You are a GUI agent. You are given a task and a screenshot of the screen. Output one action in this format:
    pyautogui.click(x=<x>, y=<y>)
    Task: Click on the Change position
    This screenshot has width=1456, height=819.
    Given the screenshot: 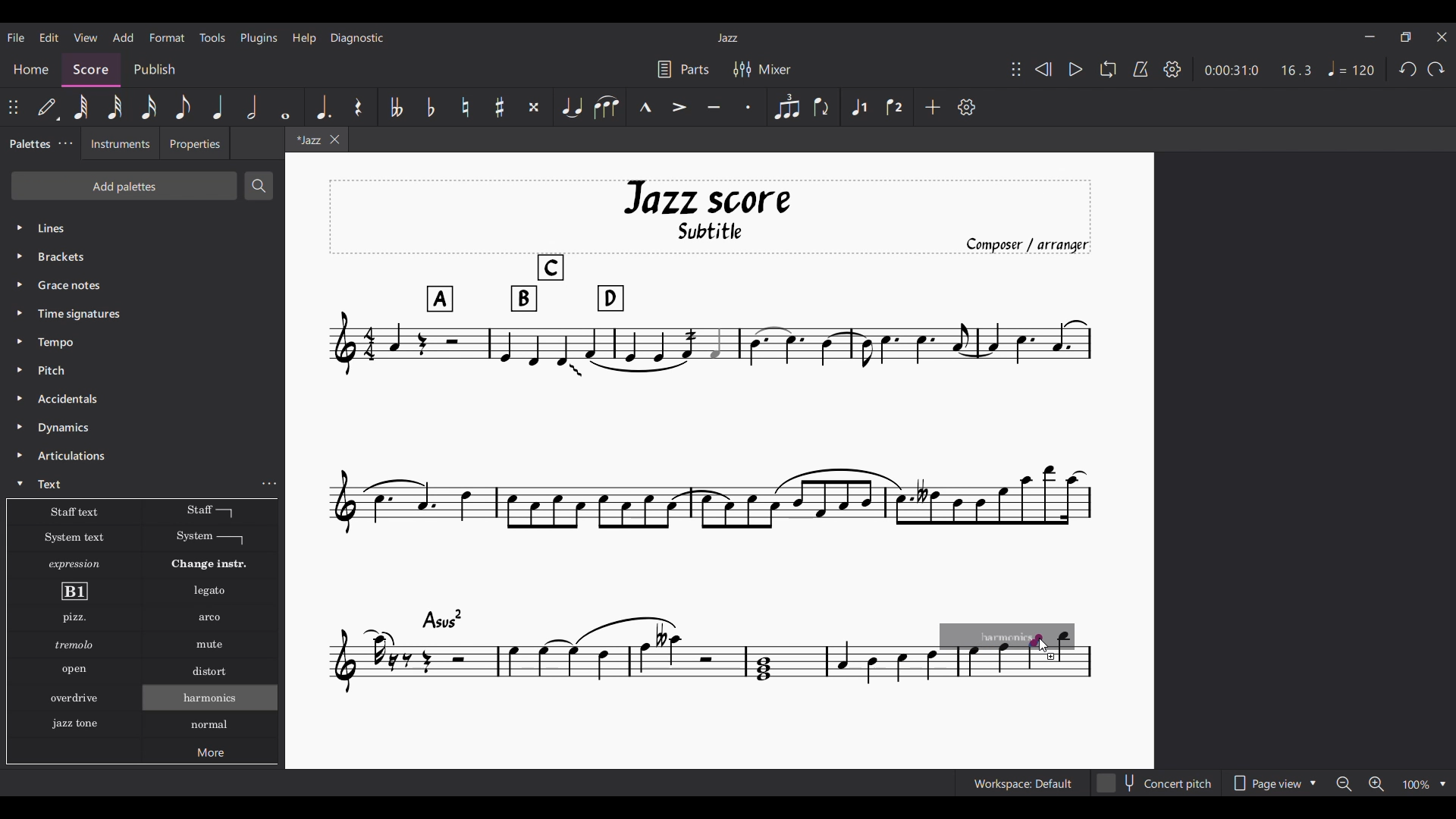 What is the action you would take?
    pyautogui.click(x=1016, y=69)
    